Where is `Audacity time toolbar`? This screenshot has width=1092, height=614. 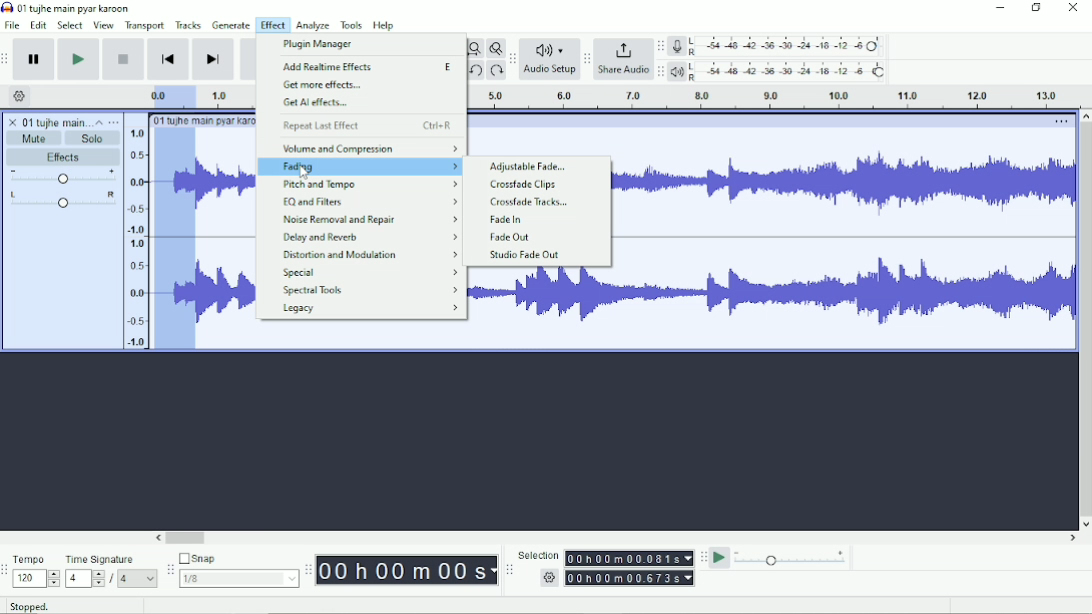
Audacity time toolbar is located at coordinates (307, 570).